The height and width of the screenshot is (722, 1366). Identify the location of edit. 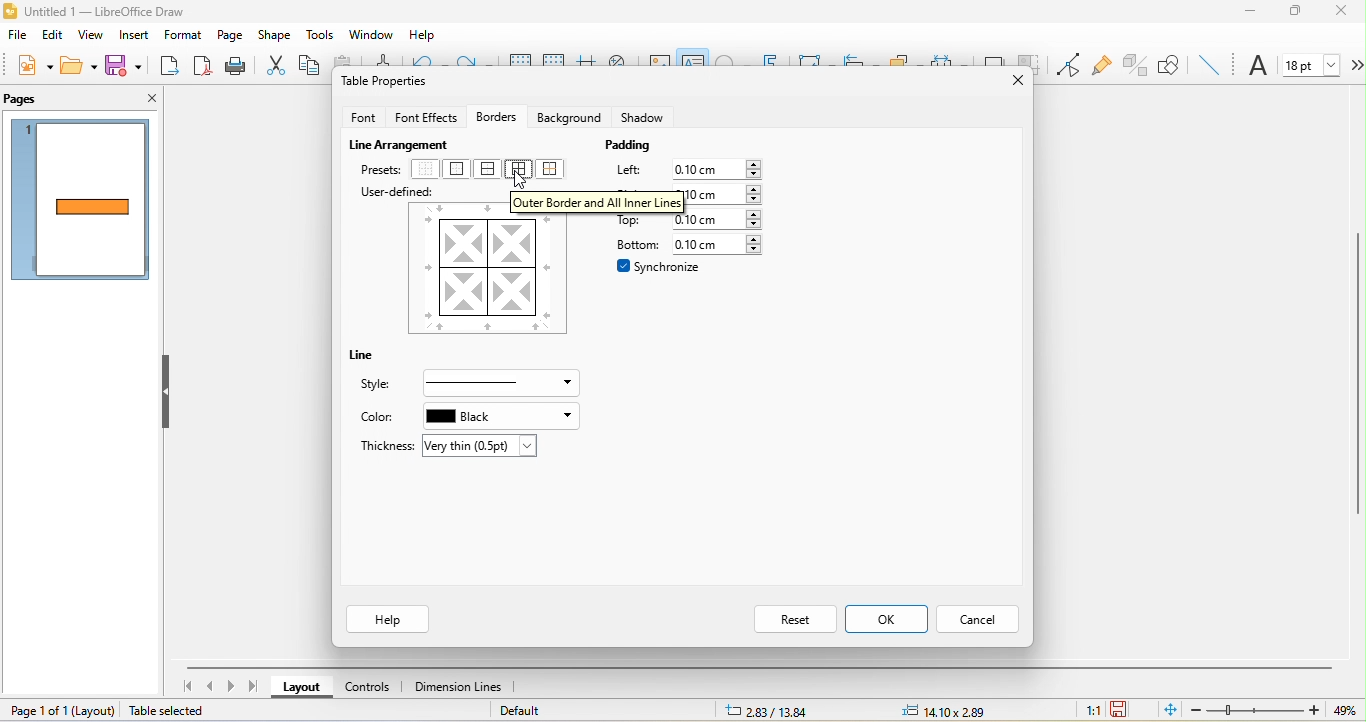
(51, 34).